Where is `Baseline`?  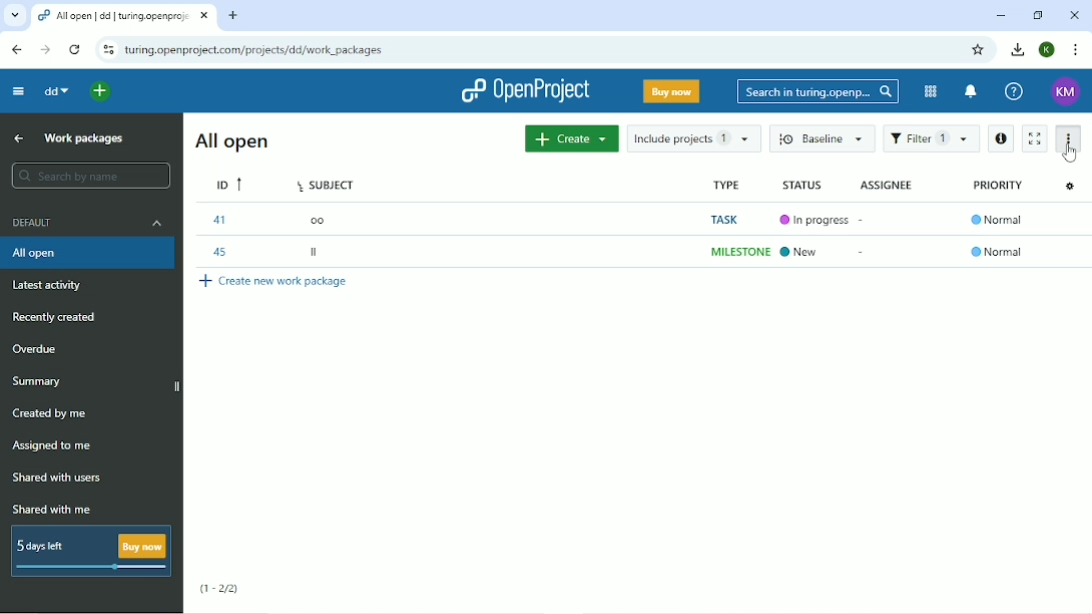 Baseline is located at coordinates (818, 138).